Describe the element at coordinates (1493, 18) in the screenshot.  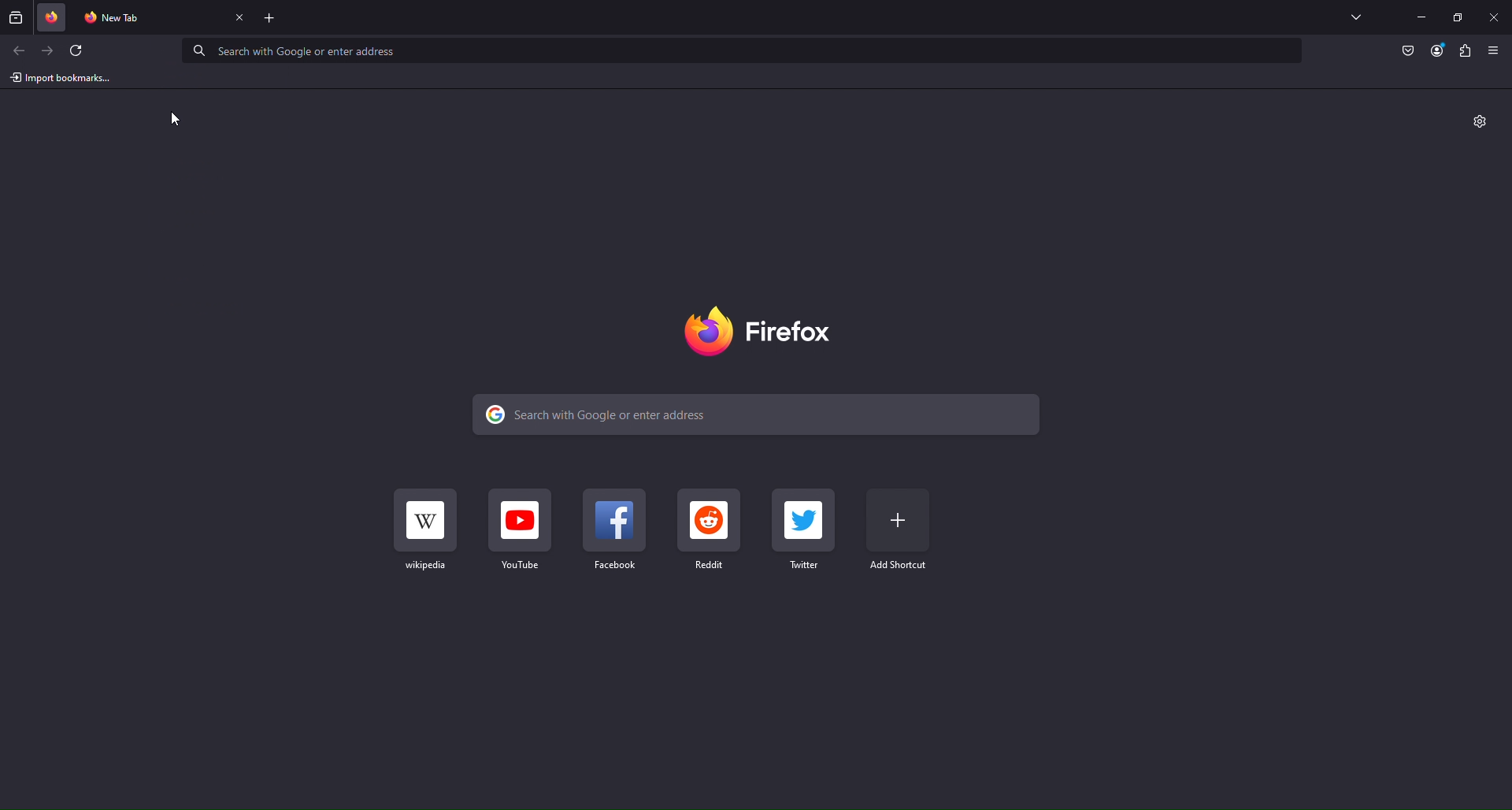
I see `Close` at that location.